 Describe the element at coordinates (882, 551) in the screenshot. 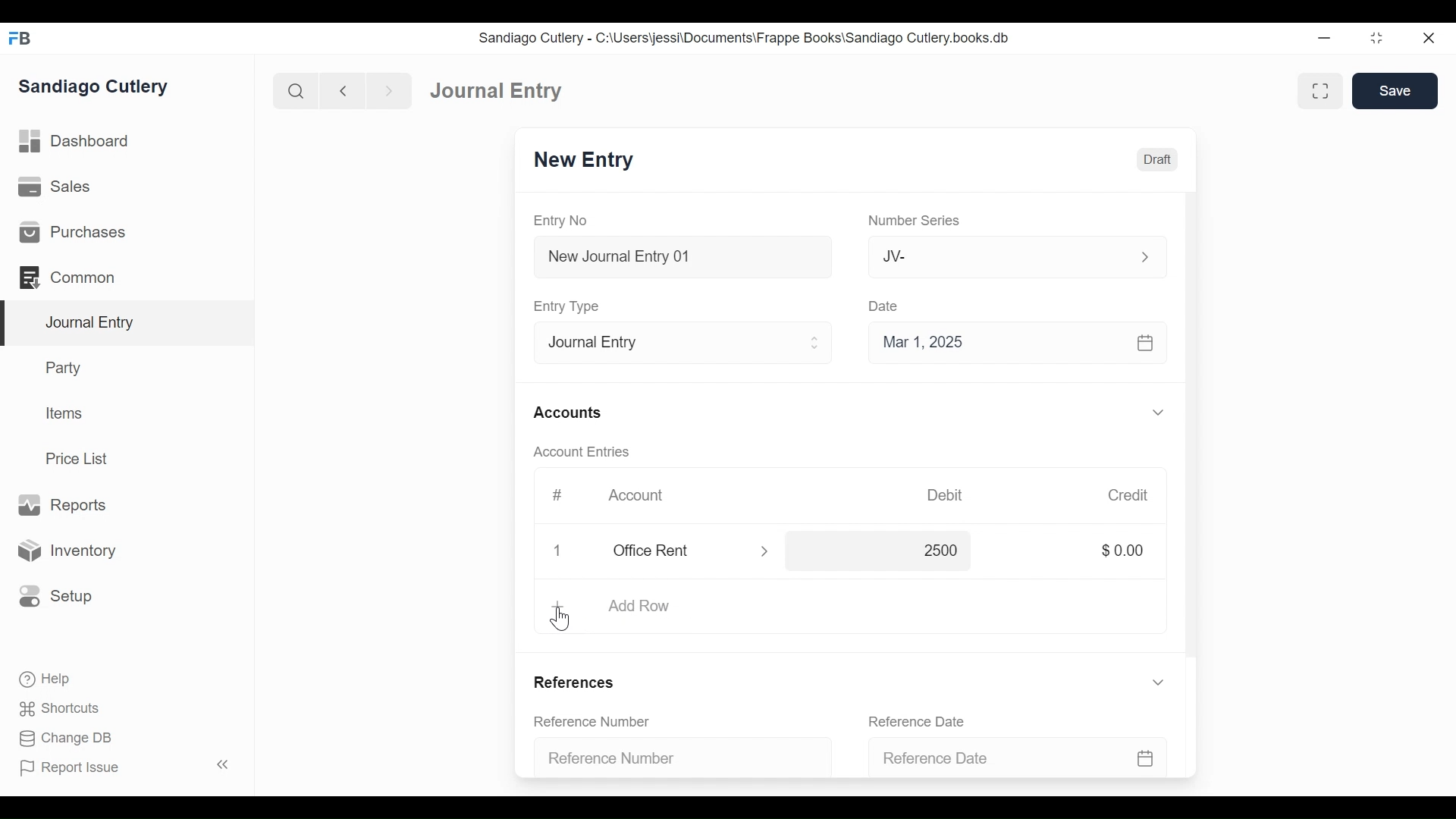

I see `2500` at that location.